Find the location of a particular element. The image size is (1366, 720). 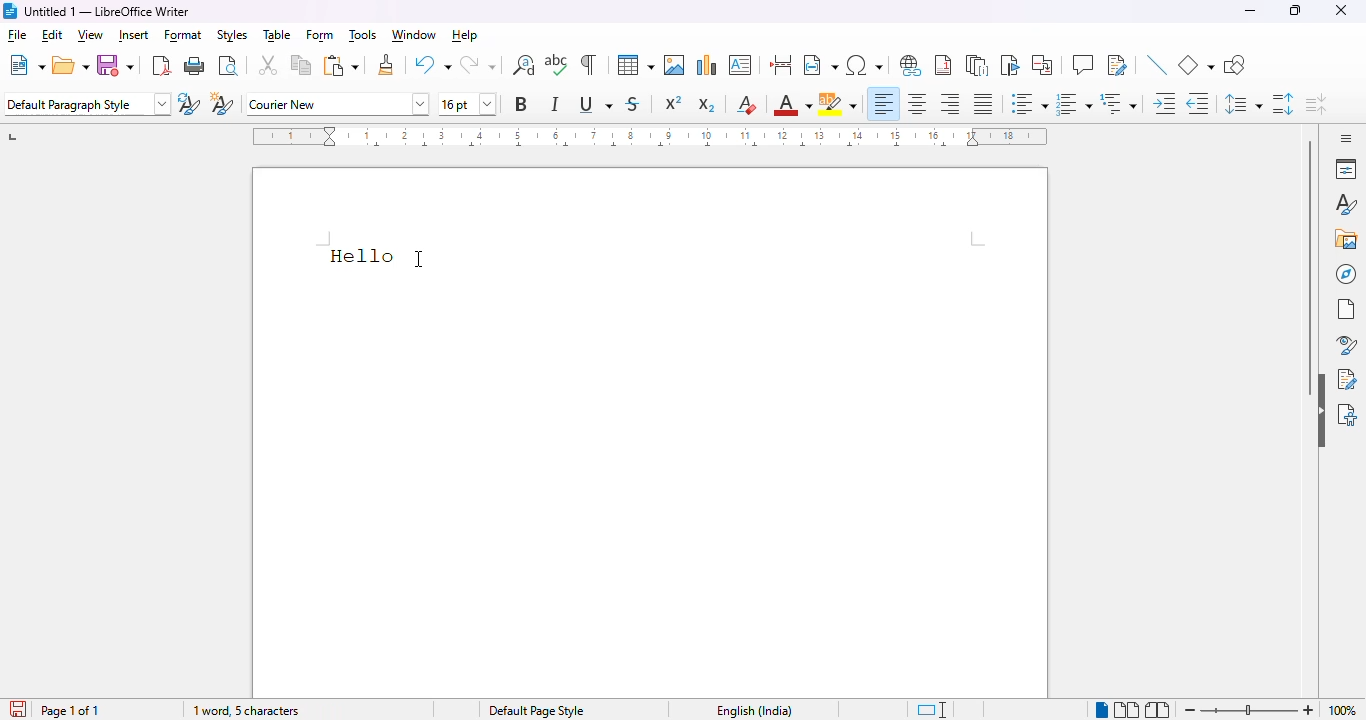

align left is located at coordinates (885, 104).